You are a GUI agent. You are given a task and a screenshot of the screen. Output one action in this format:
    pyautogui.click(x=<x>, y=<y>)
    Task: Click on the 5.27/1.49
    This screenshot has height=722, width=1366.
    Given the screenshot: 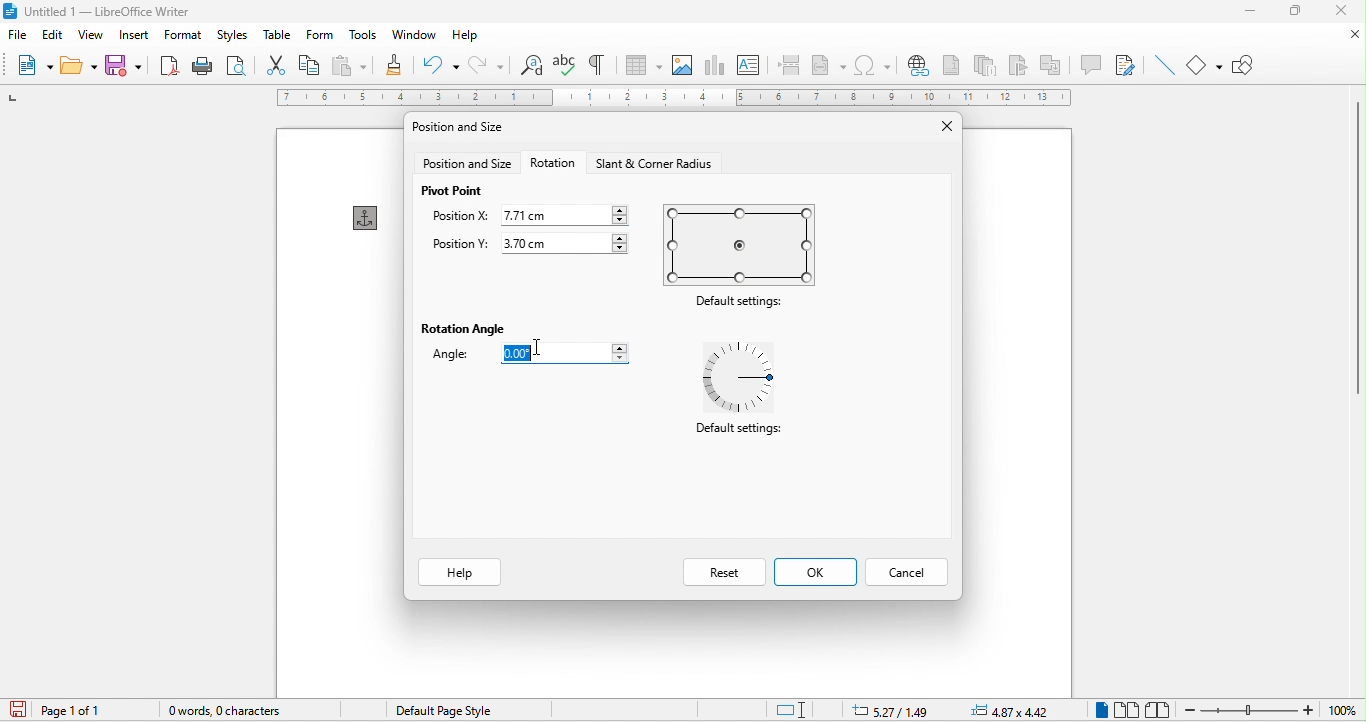 What is the action you would take?
    pyautogui.click(x=887, y=710)
    